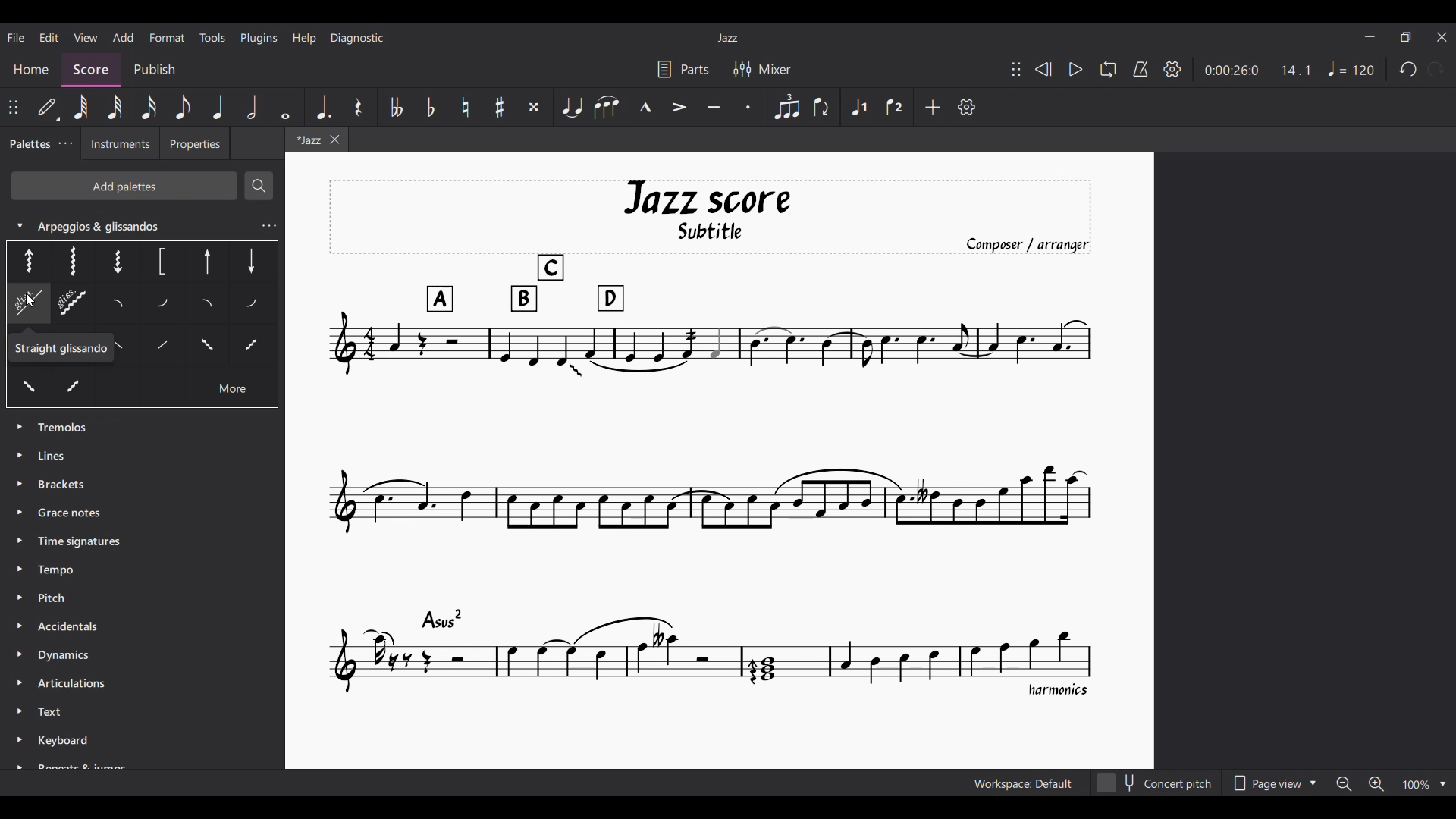 Image resolution: width=1456 pixels, height=819 pixels. I want to click on Redo, so click(1436, 69).